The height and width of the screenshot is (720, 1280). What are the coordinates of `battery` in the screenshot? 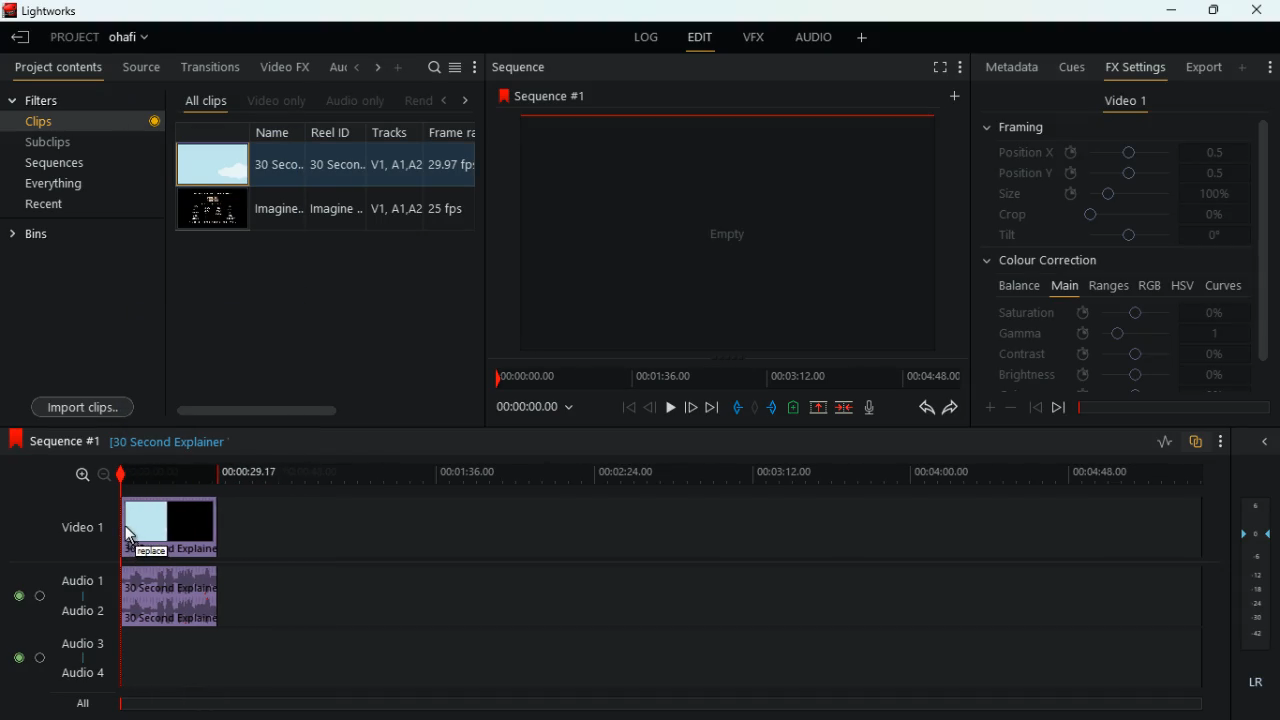 It's located at (793, 407).